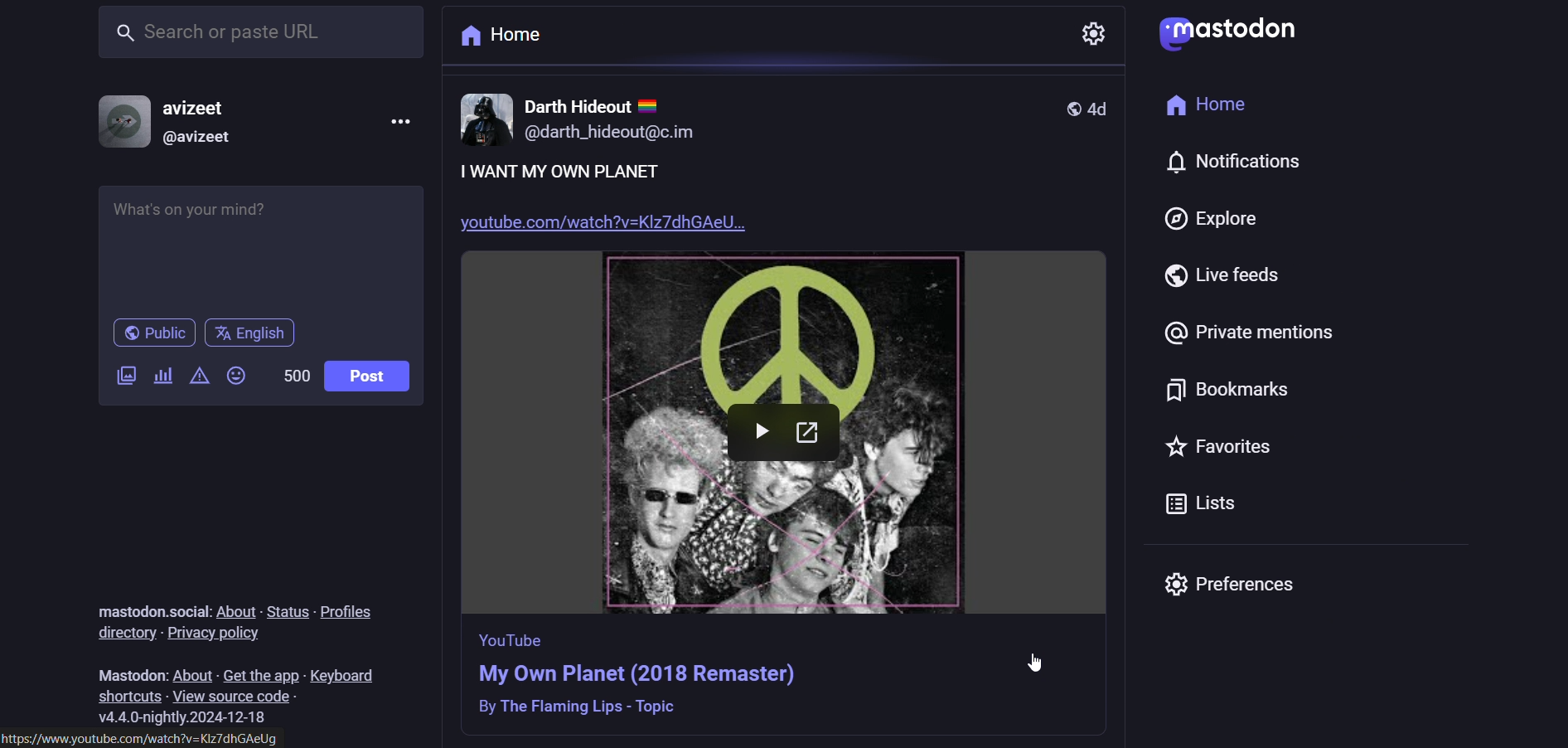 Image resolution: width=1568 pixels, height=748 pixels. I want to click on content warning, so click(201, 375).